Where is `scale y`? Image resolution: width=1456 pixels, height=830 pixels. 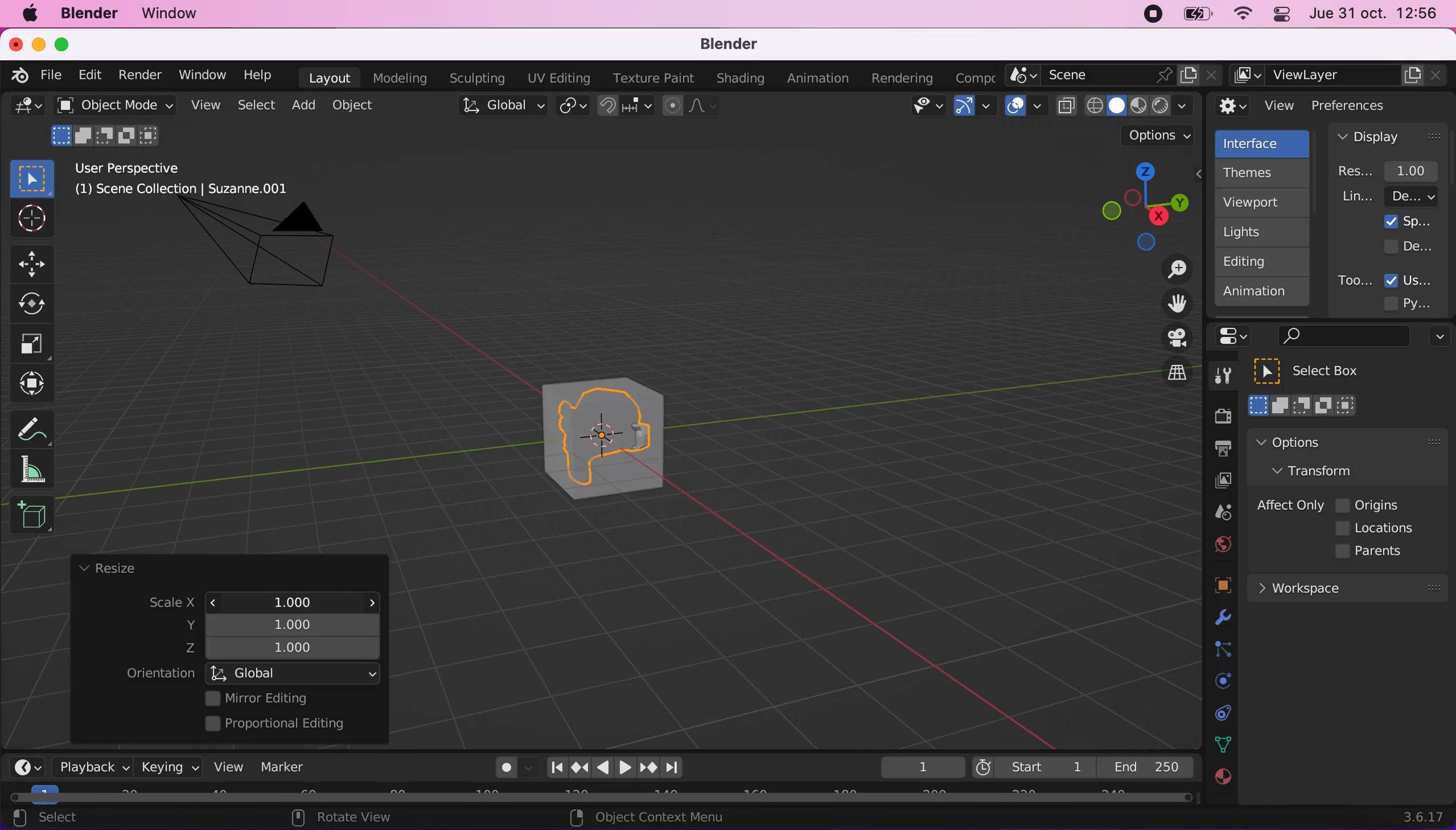
scale y is located at coordinates (287, 624).